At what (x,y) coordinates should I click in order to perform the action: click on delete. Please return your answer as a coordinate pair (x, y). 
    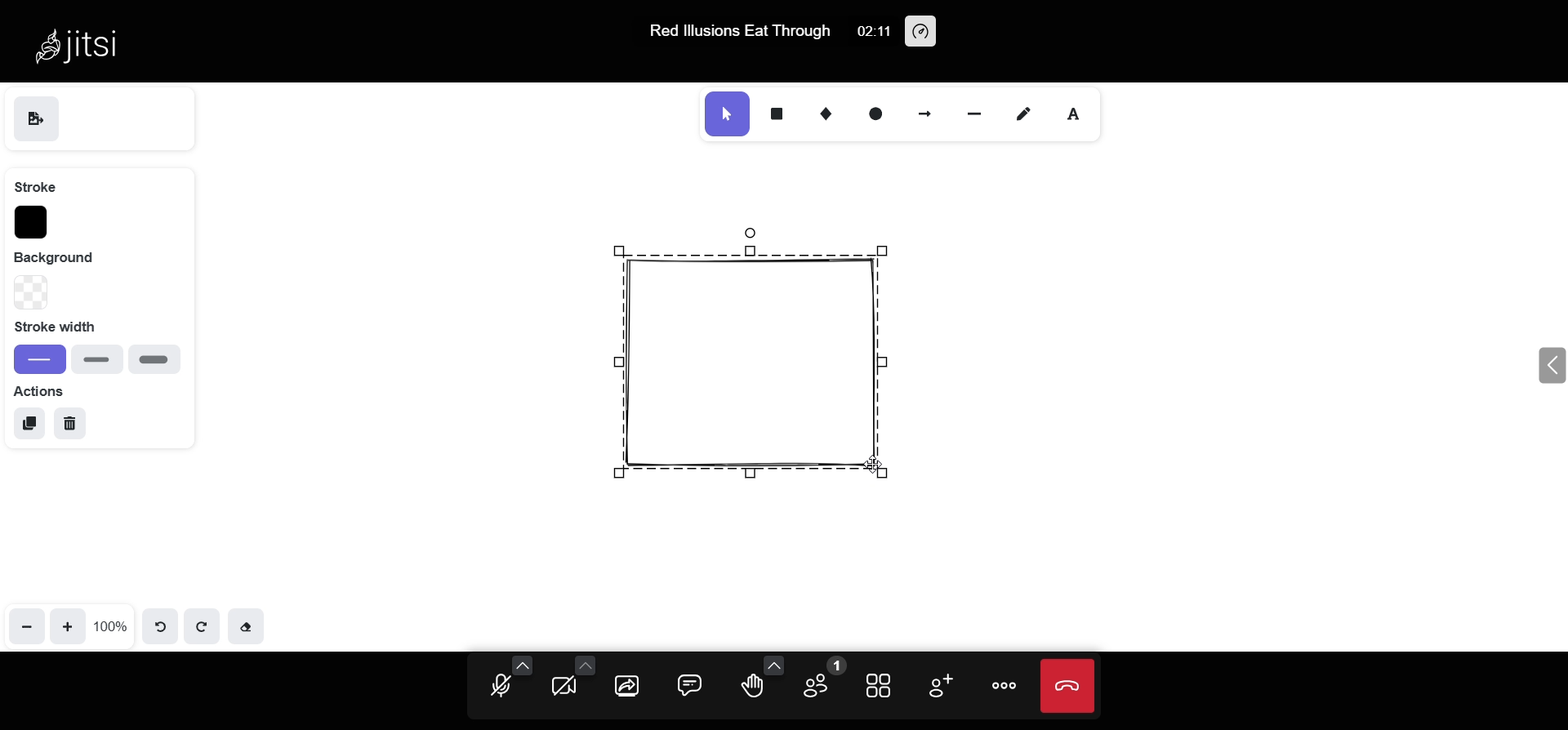
    Looking at the image, I should click on (76, 425).